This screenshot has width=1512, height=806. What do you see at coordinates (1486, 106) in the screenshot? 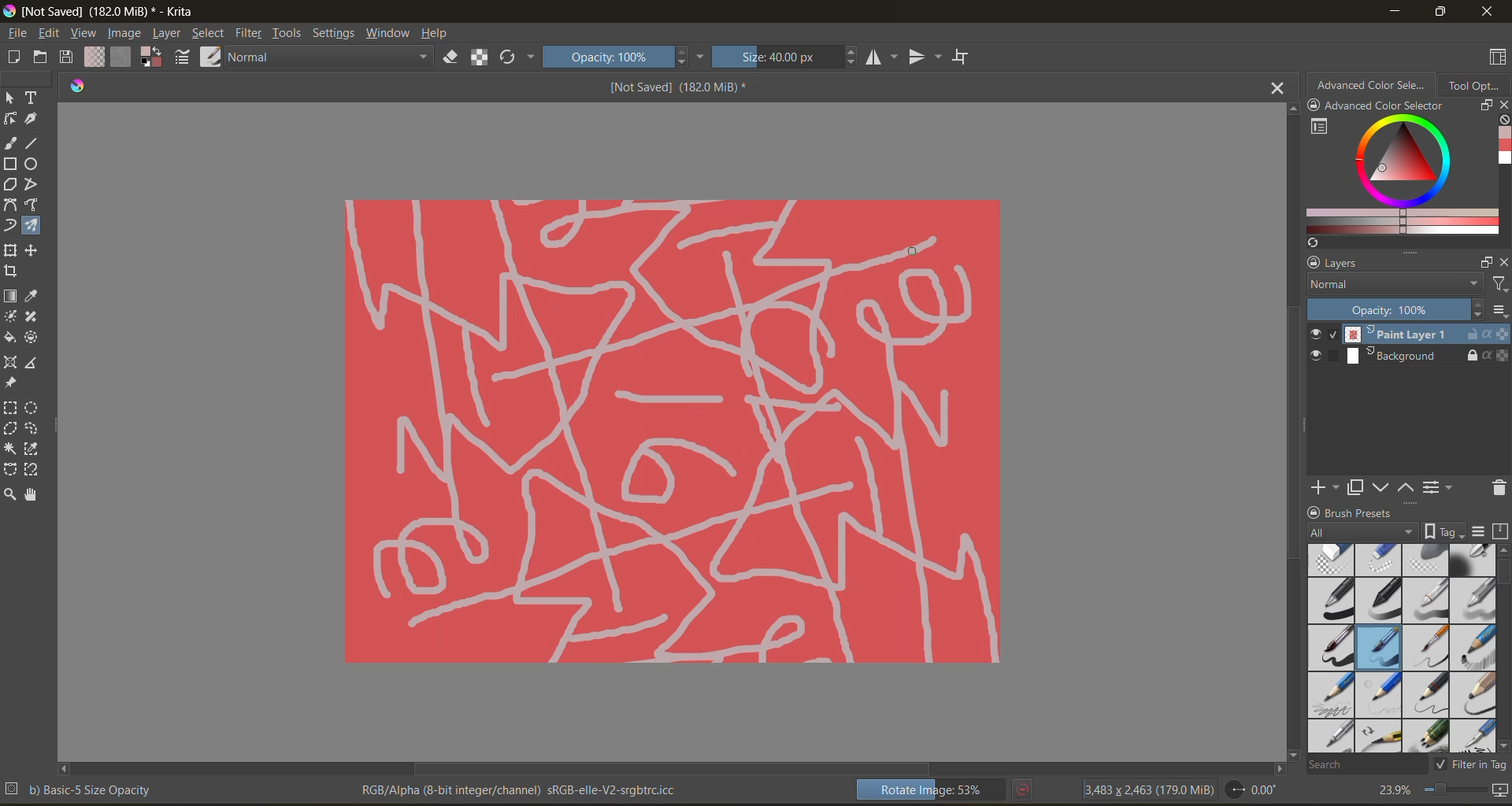
I see `float docker` at bounding box center [1486, 106].